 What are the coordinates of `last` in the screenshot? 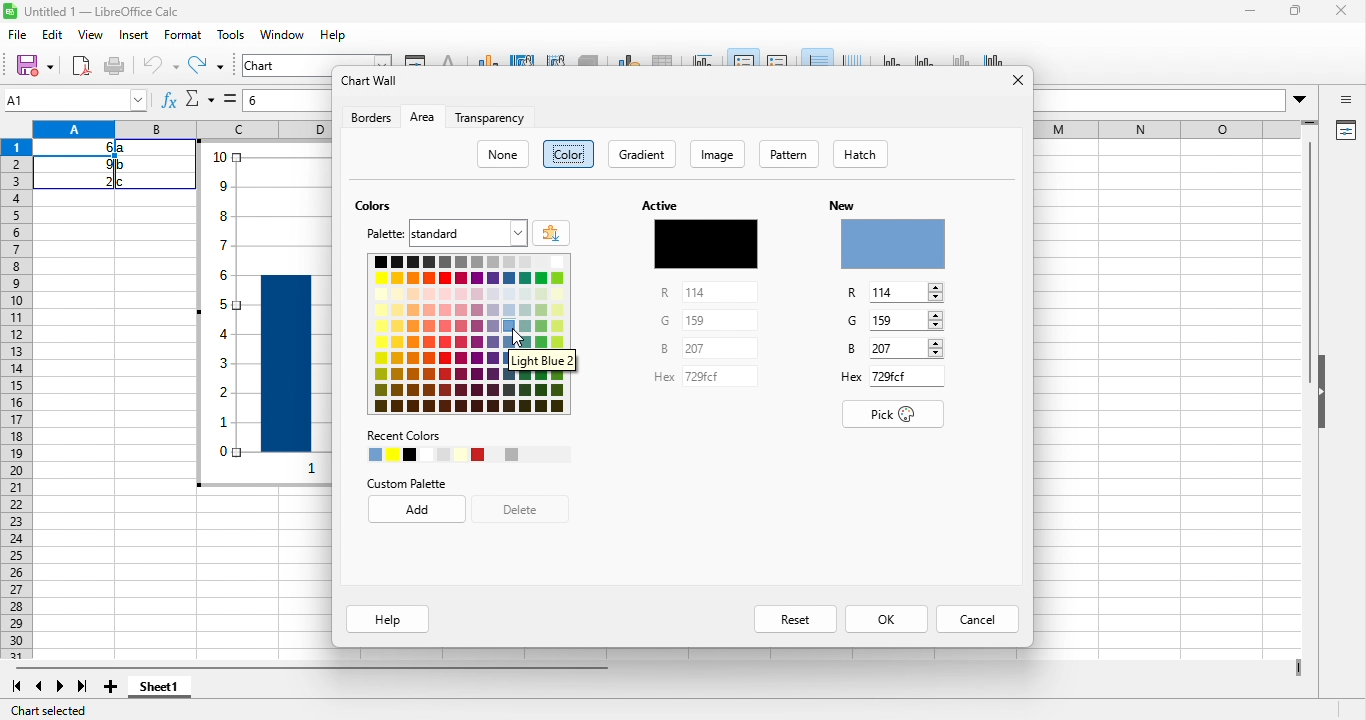 It's located at (85, 688).